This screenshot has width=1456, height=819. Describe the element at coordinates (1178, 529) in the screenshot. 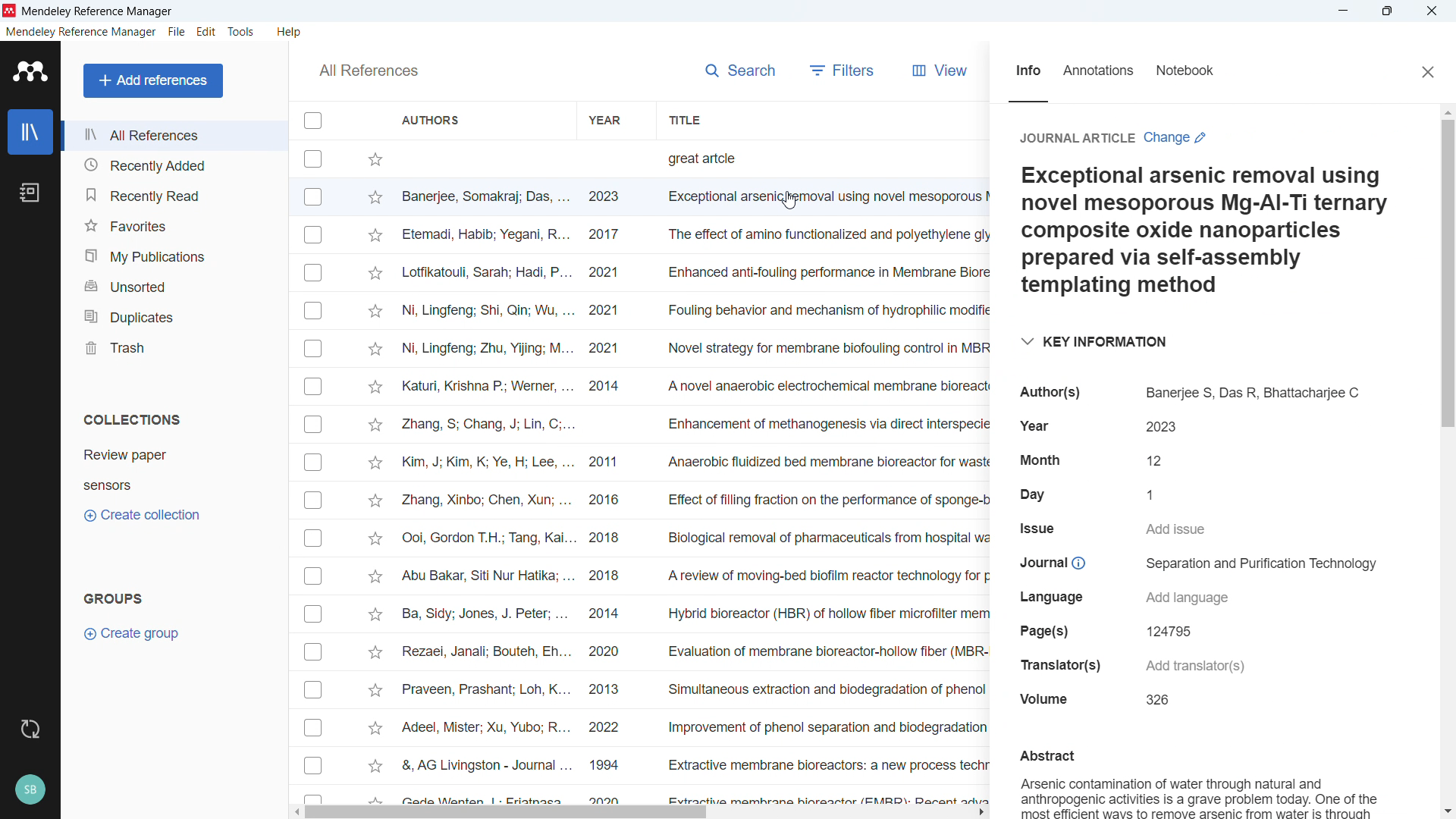

I see `Add issue ` at that location.